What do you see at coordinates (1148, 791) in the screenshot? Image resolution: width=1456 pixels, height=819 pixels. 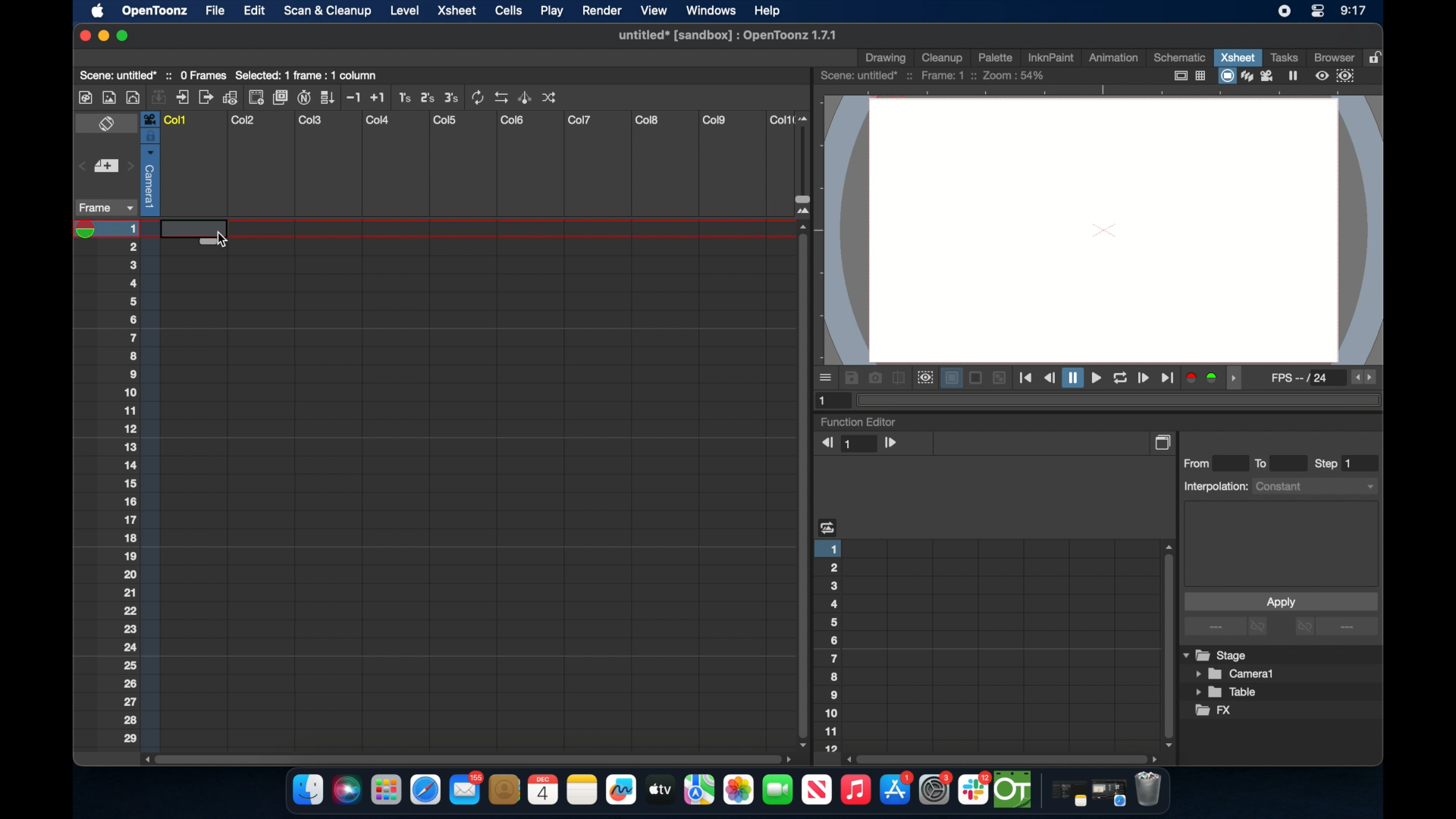 I see `trash` at bounding box center [1148, 791].